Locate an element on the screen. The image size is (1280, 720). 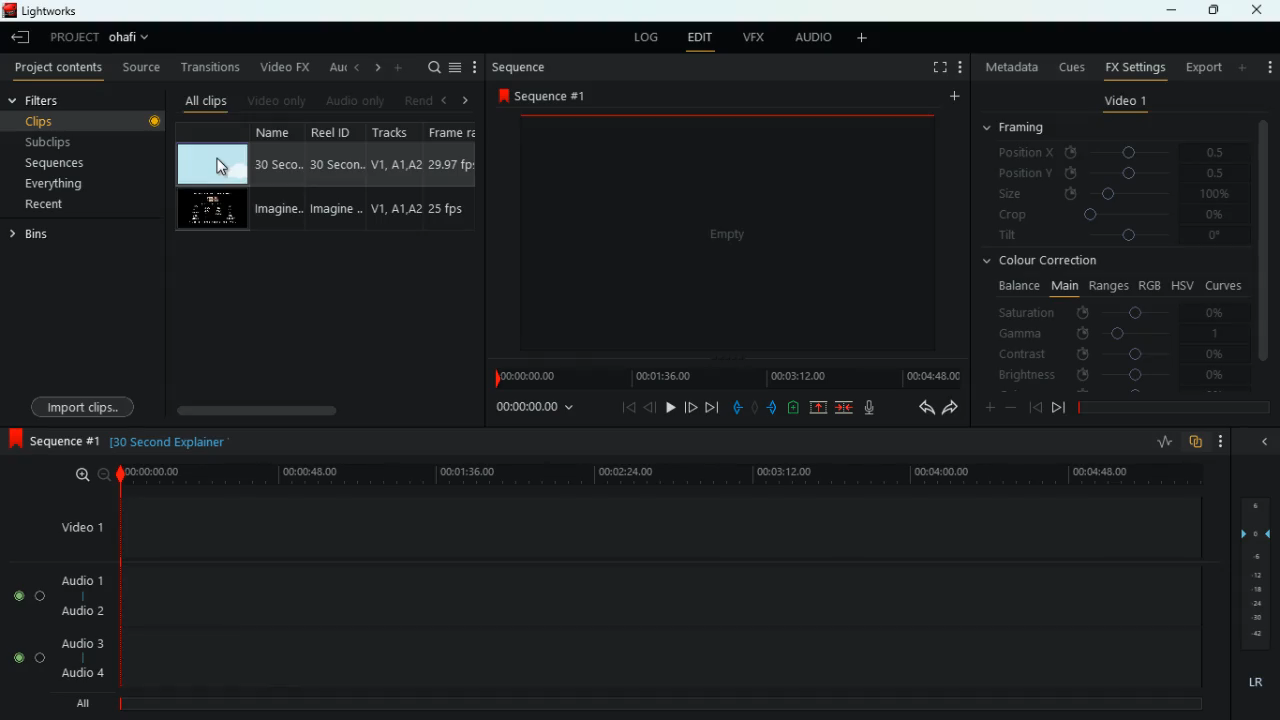
export is located at coordinates (1203, 66).